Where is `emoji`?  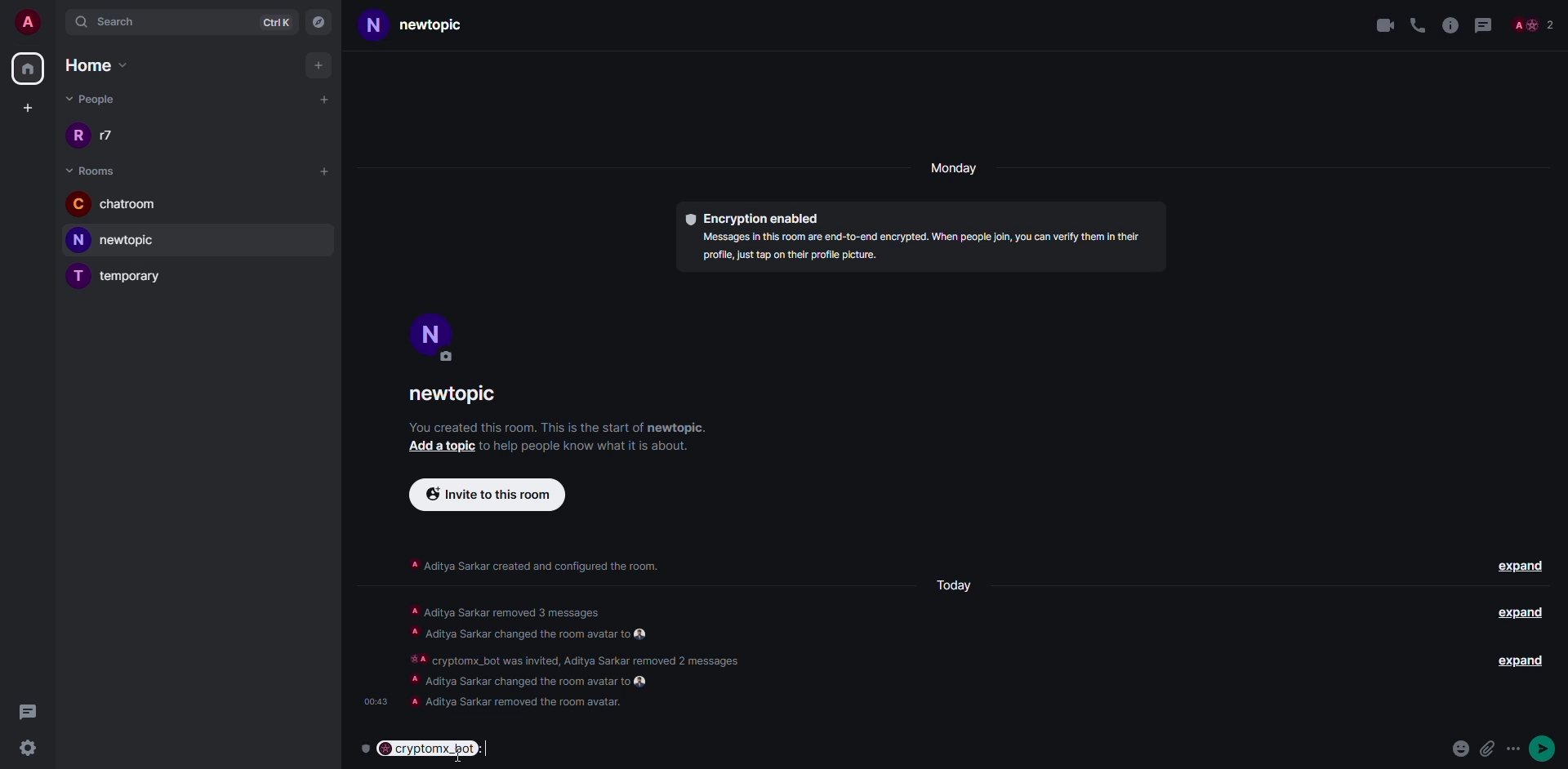
emoji is located at coordinates (1463, 749).